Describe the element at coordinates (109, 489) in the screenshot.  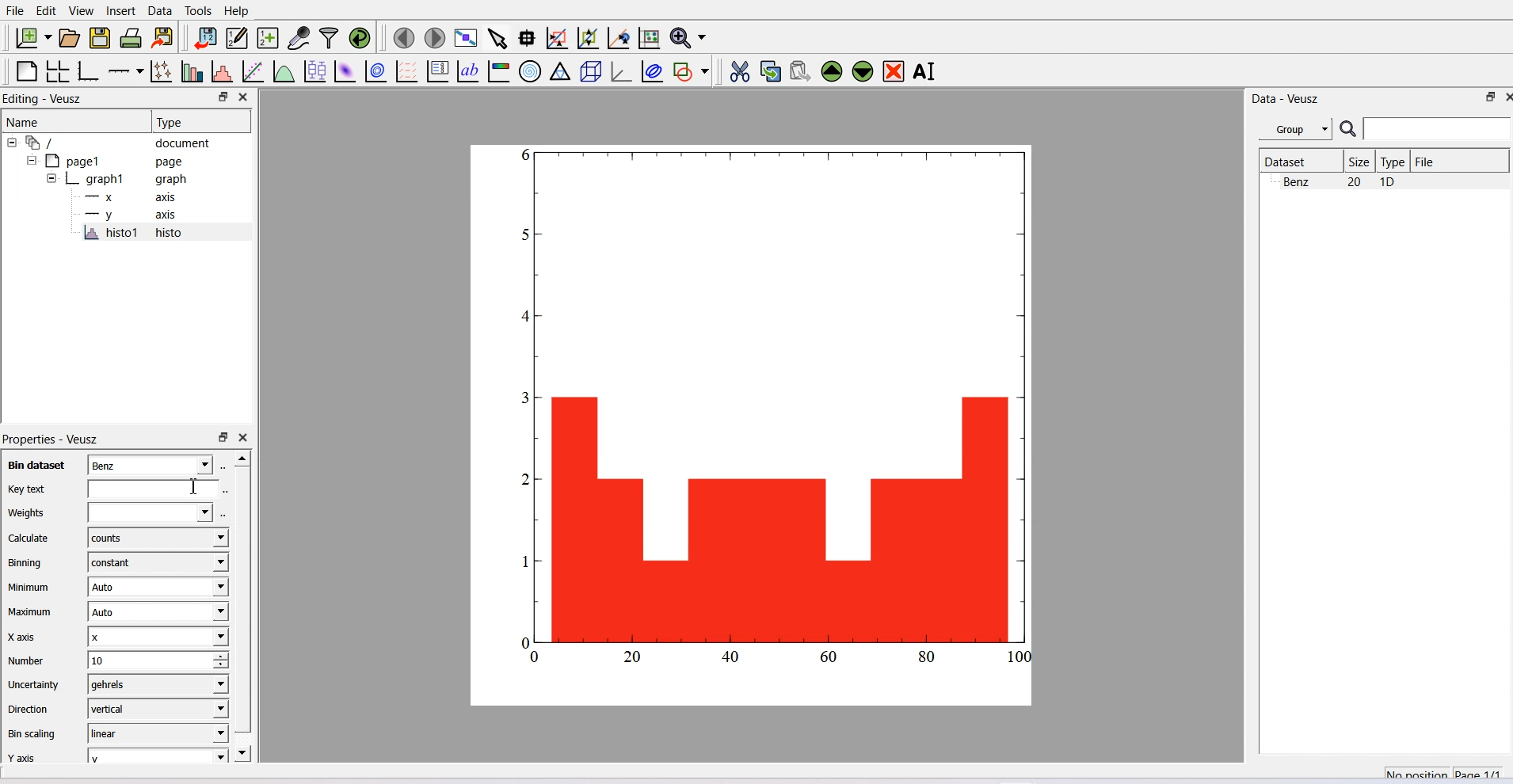
I see `Key text` at that location.